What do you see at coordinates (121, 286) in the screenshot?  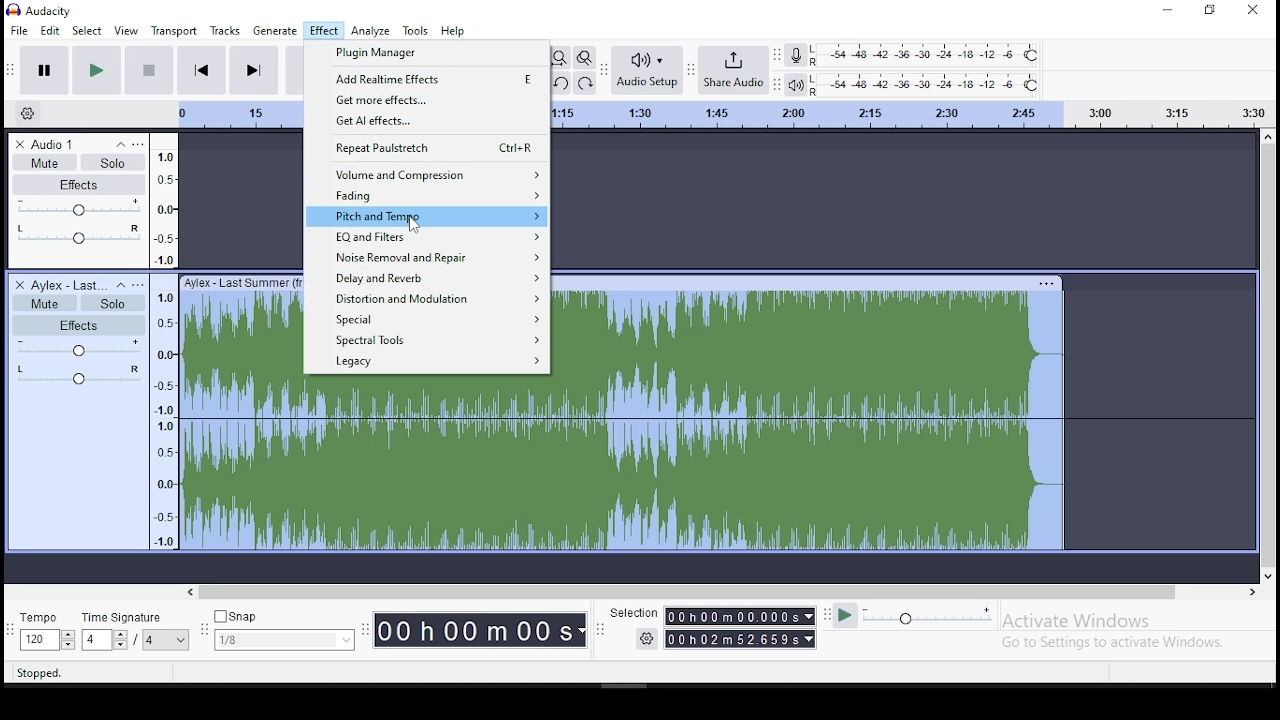 I see `collapse` at bounding box center [121, 286].